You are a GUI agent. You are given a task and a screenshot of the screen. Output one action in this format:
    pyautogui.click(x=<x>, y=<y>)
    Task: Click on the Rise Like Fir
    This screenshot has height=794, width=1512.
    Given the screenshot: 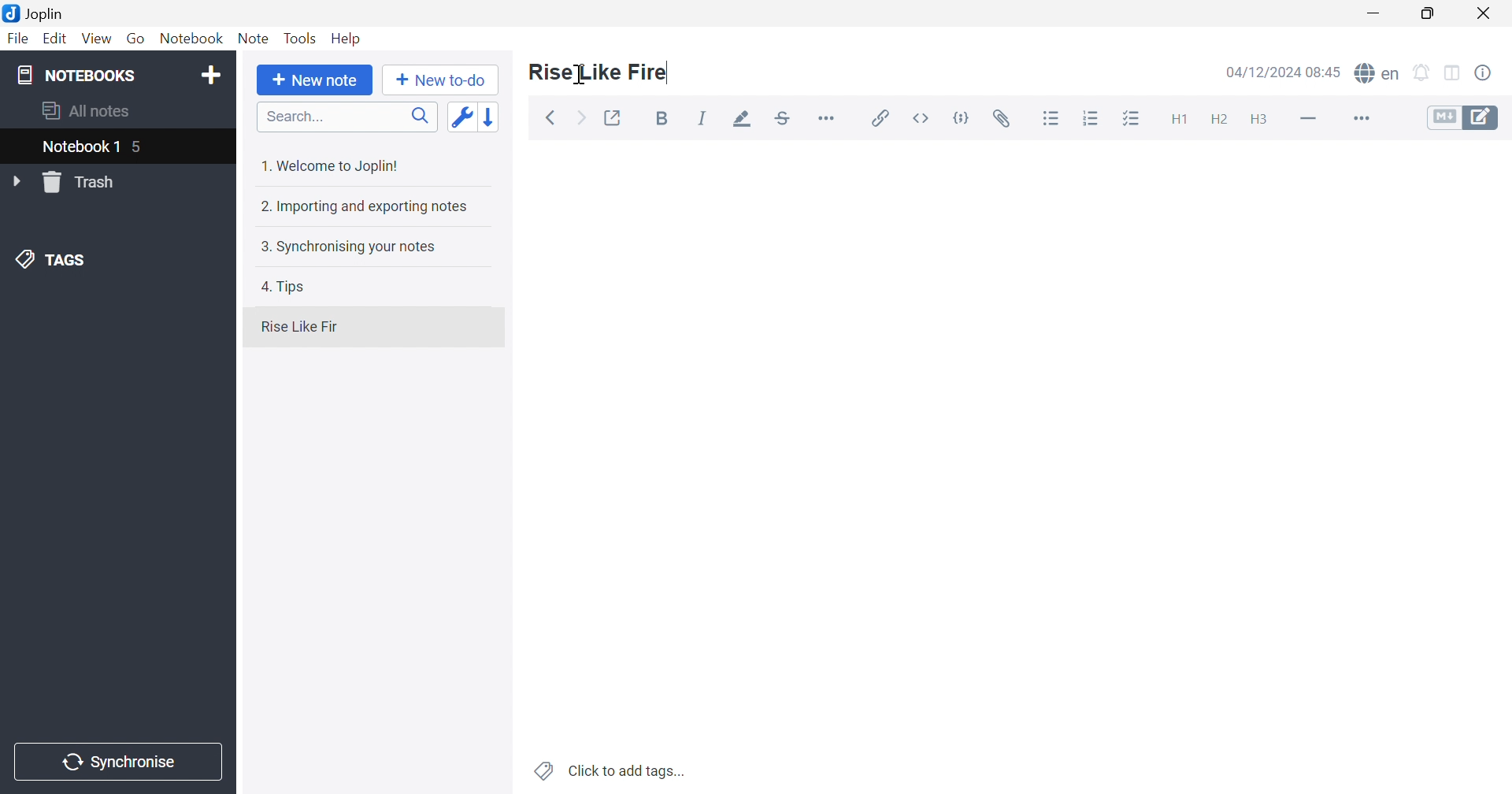 What is the action you would take?
    pyautogui.click(x=303, y=328)
    